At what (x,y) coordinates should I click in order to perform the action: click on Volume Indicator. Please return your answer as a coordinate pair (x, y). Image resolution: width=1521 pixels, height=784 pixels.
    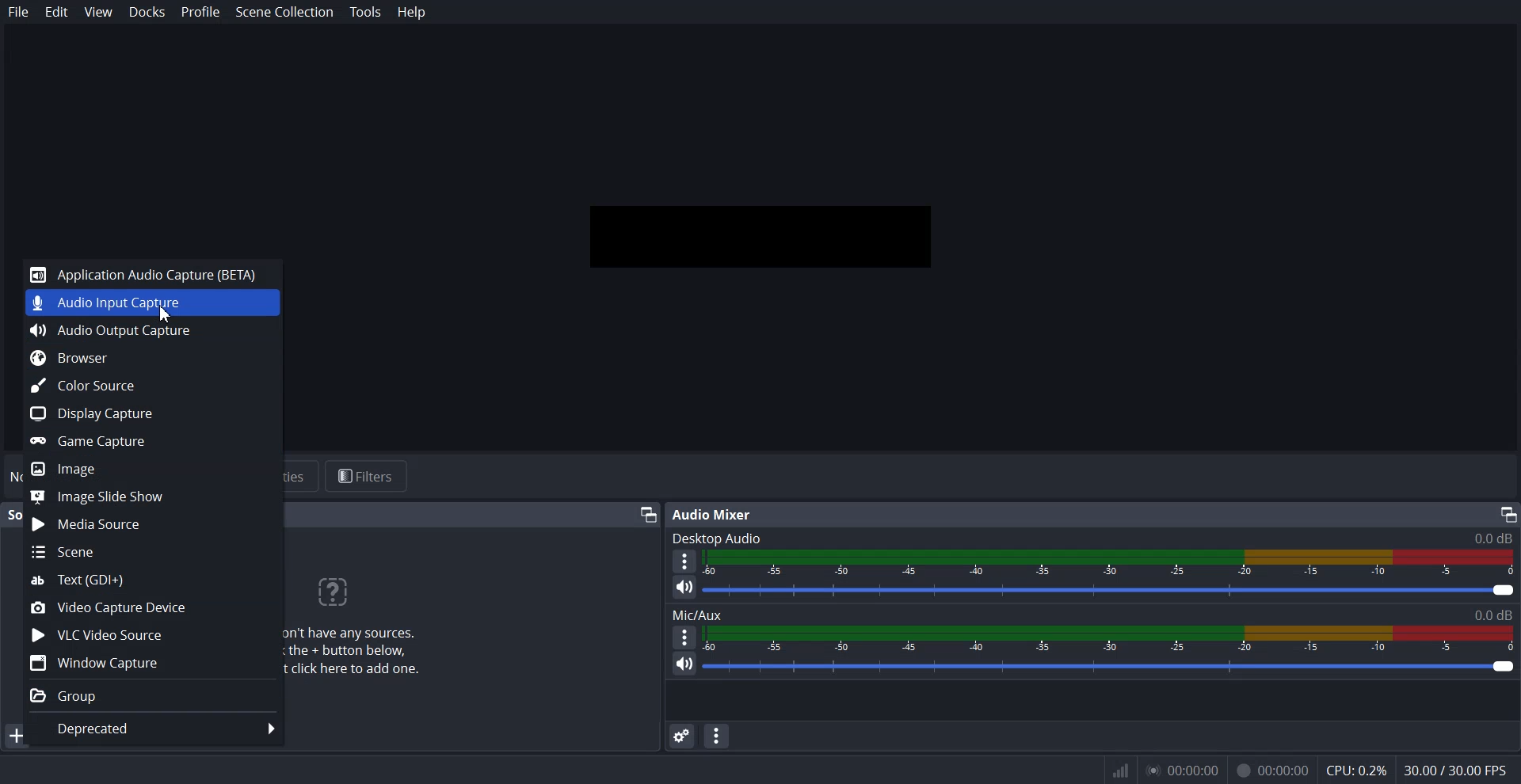
    Looking at the image, I should click on (1109, 562).